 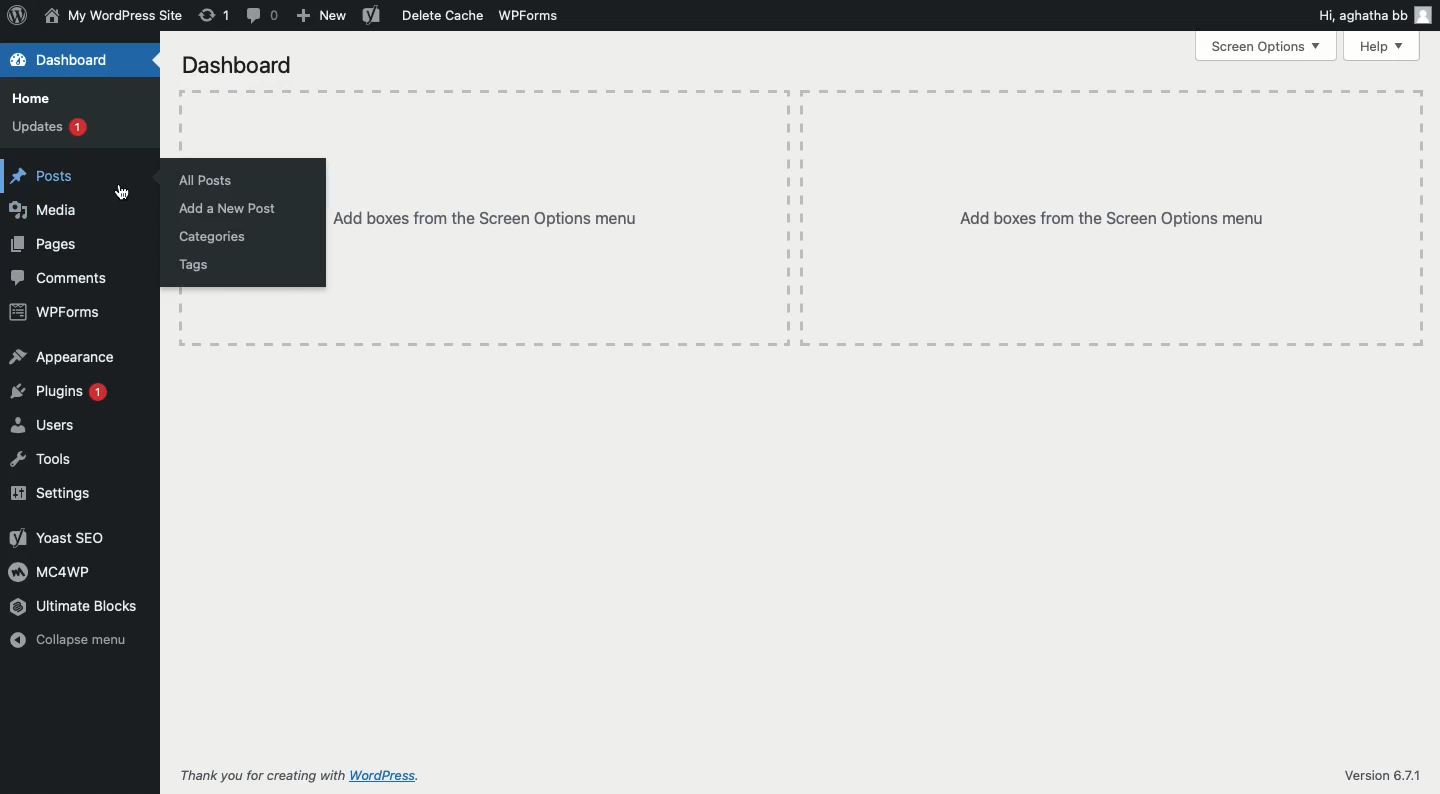 What do you see at coordinates (49, 125) in the screenshot?
I see `Updates` at bounding box center [49, 125].